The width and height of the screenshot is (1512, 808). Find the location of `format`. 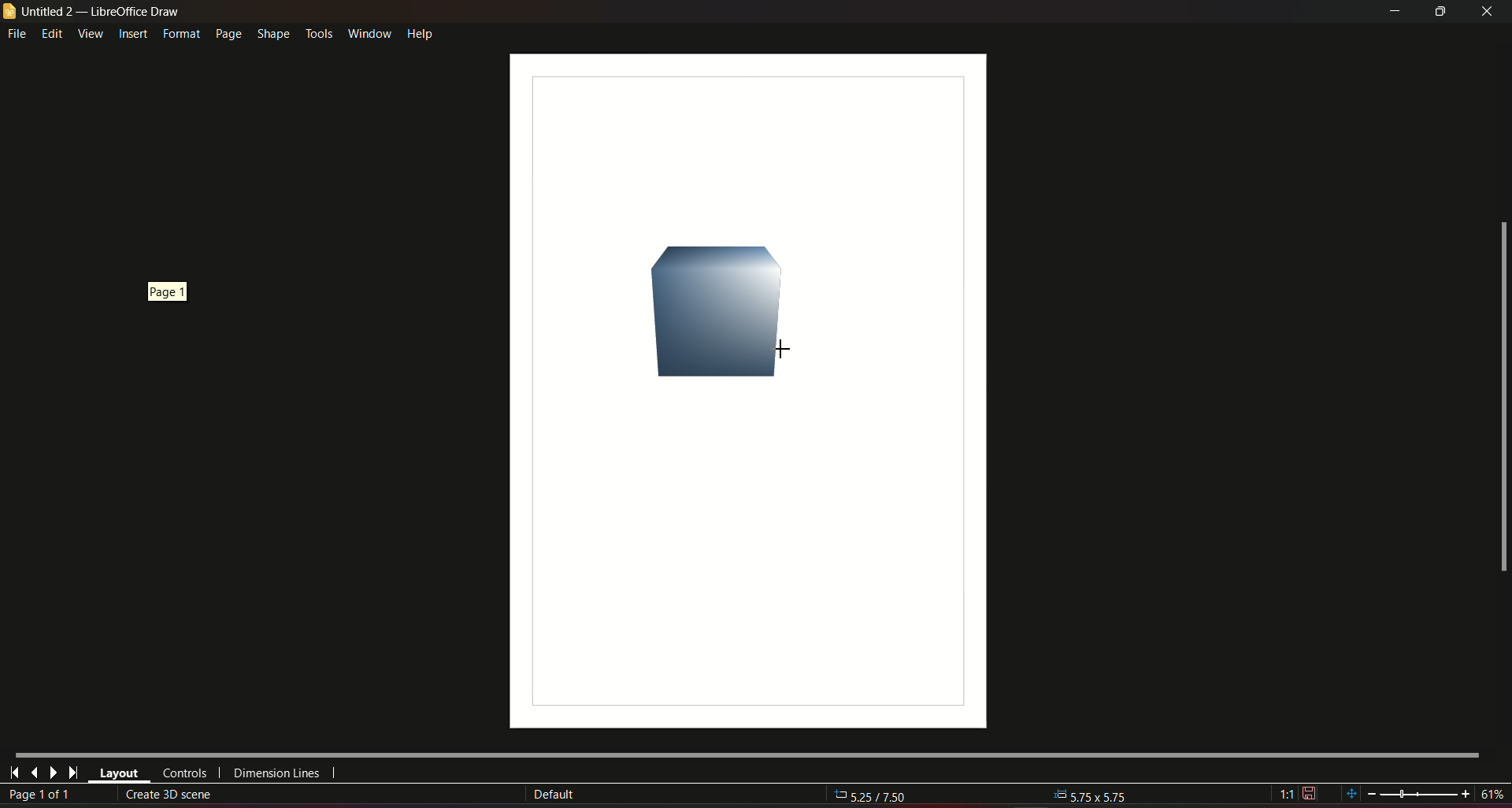

format is located at coordinates (180, 34).